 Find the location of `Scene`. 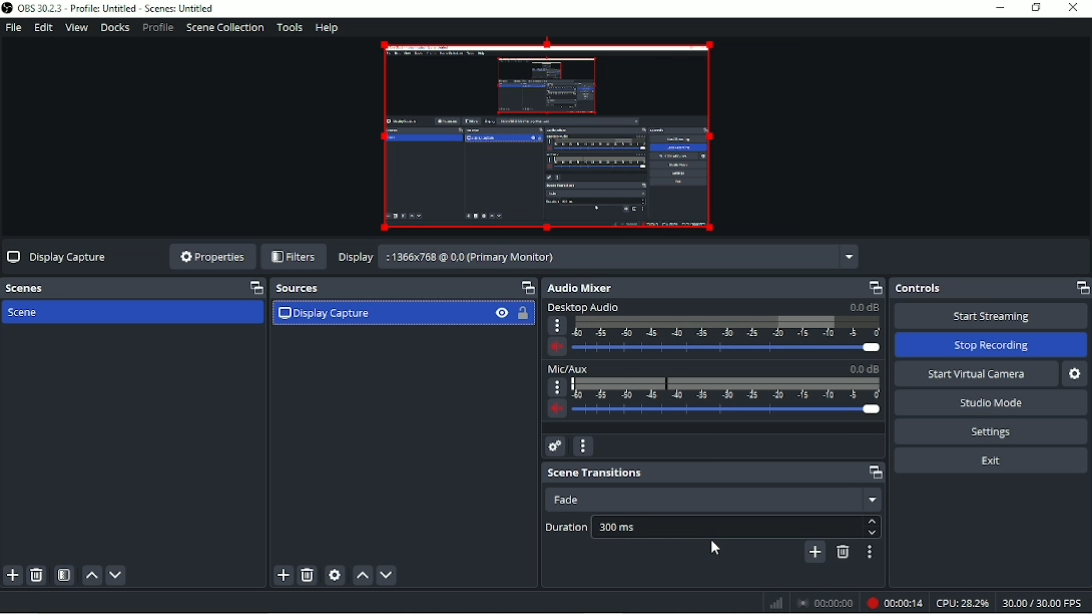

Scene is located at coordinates (378, 313).